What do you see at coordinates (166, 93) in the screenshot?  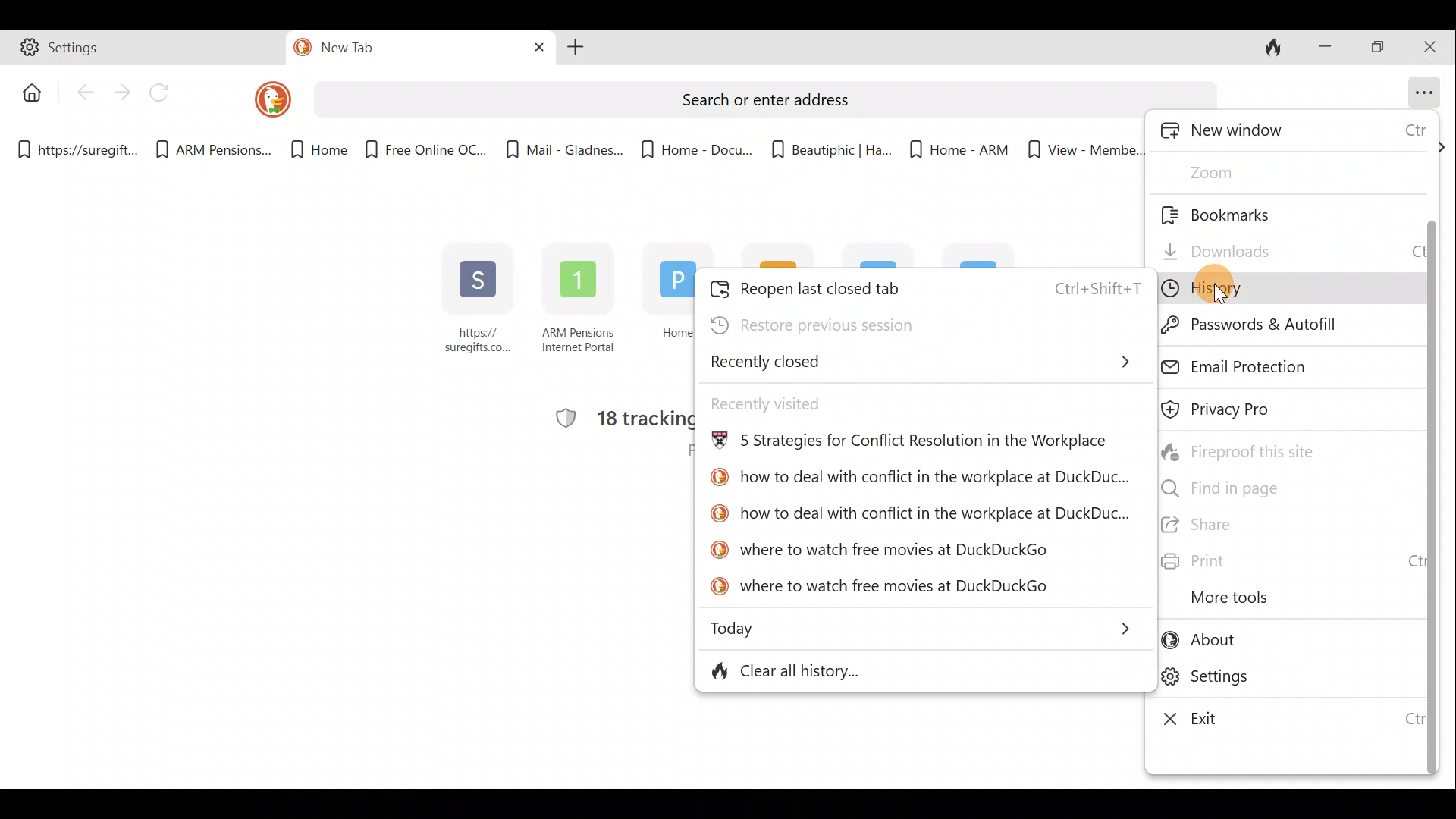 I see `Reload` at bounding box center [166, 93].